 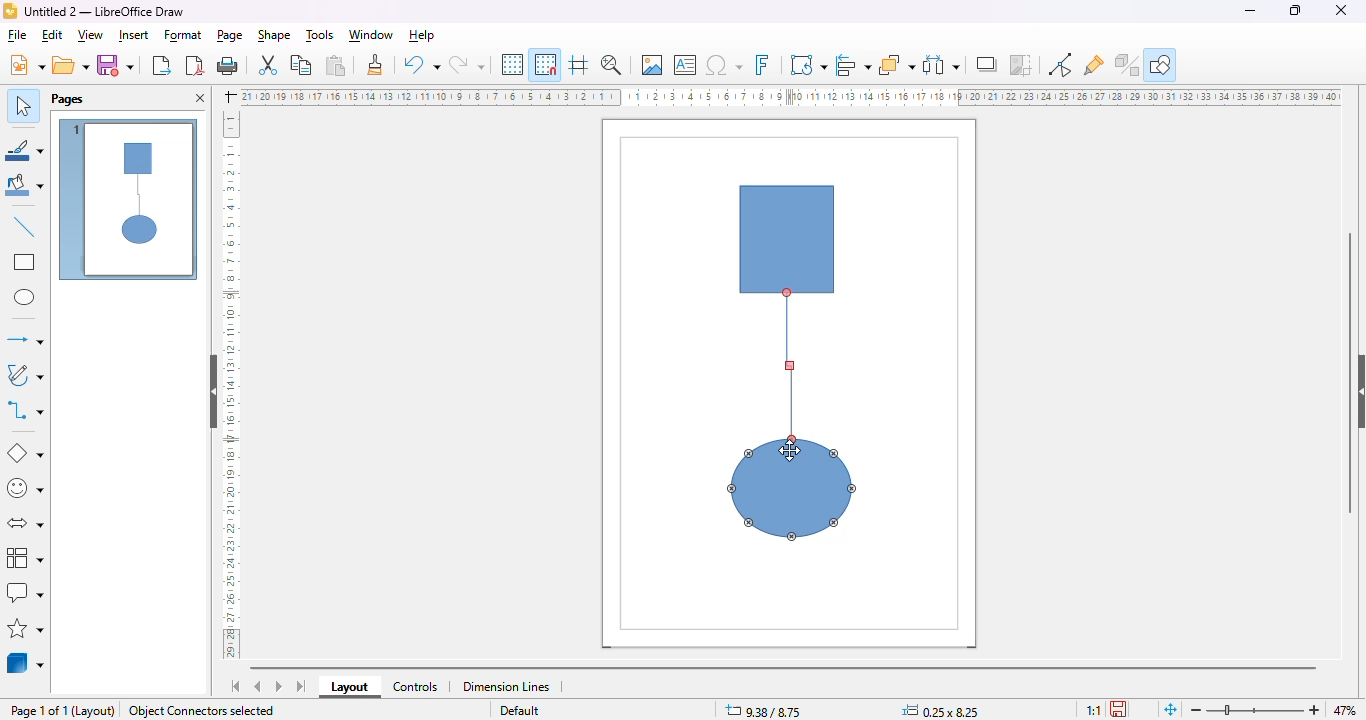 I want to click on zoom & pan, so click(x=611, y=64).